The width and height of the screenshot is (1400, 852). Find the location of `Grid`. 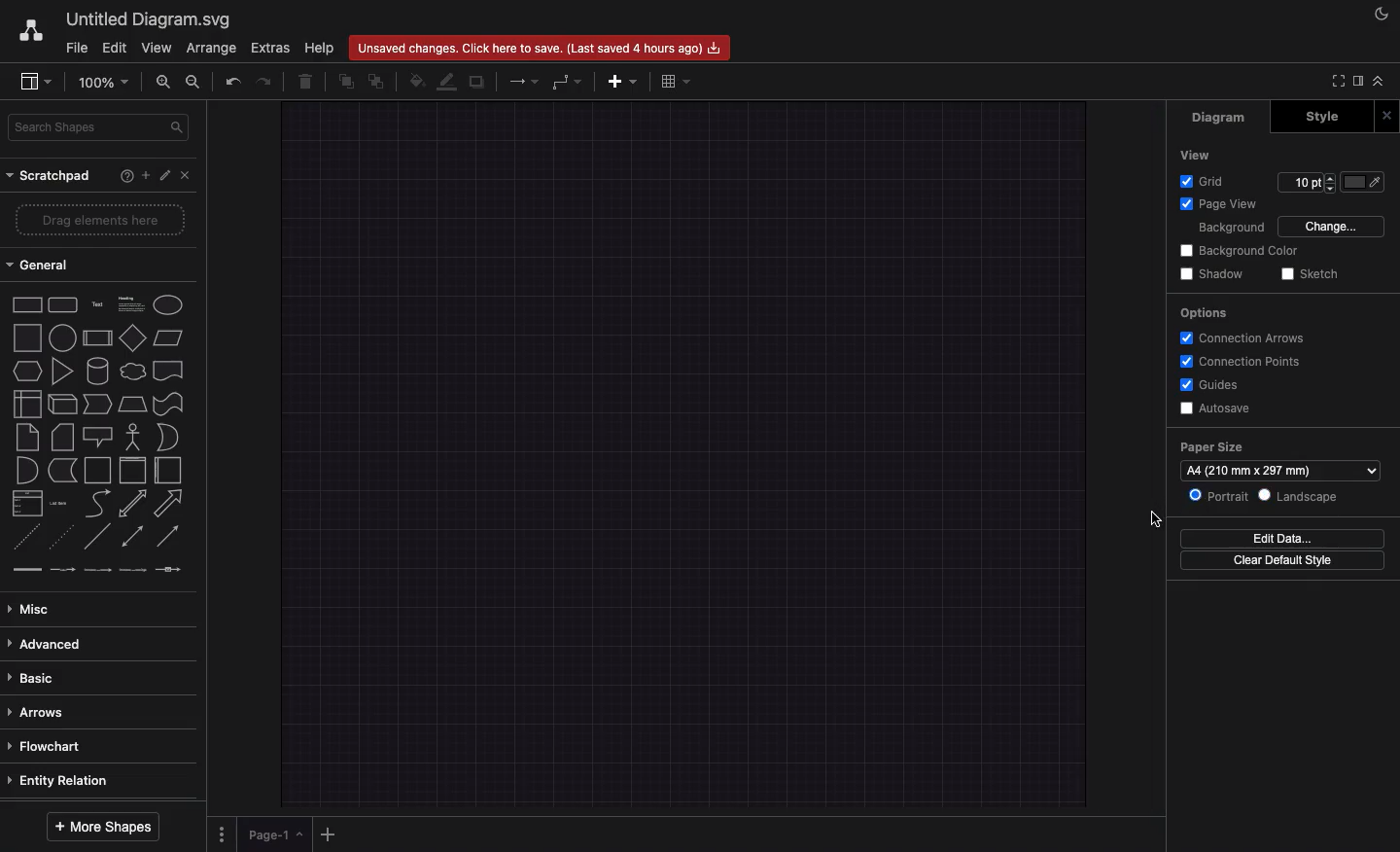

Grid is located at coordinates (1199, 182).